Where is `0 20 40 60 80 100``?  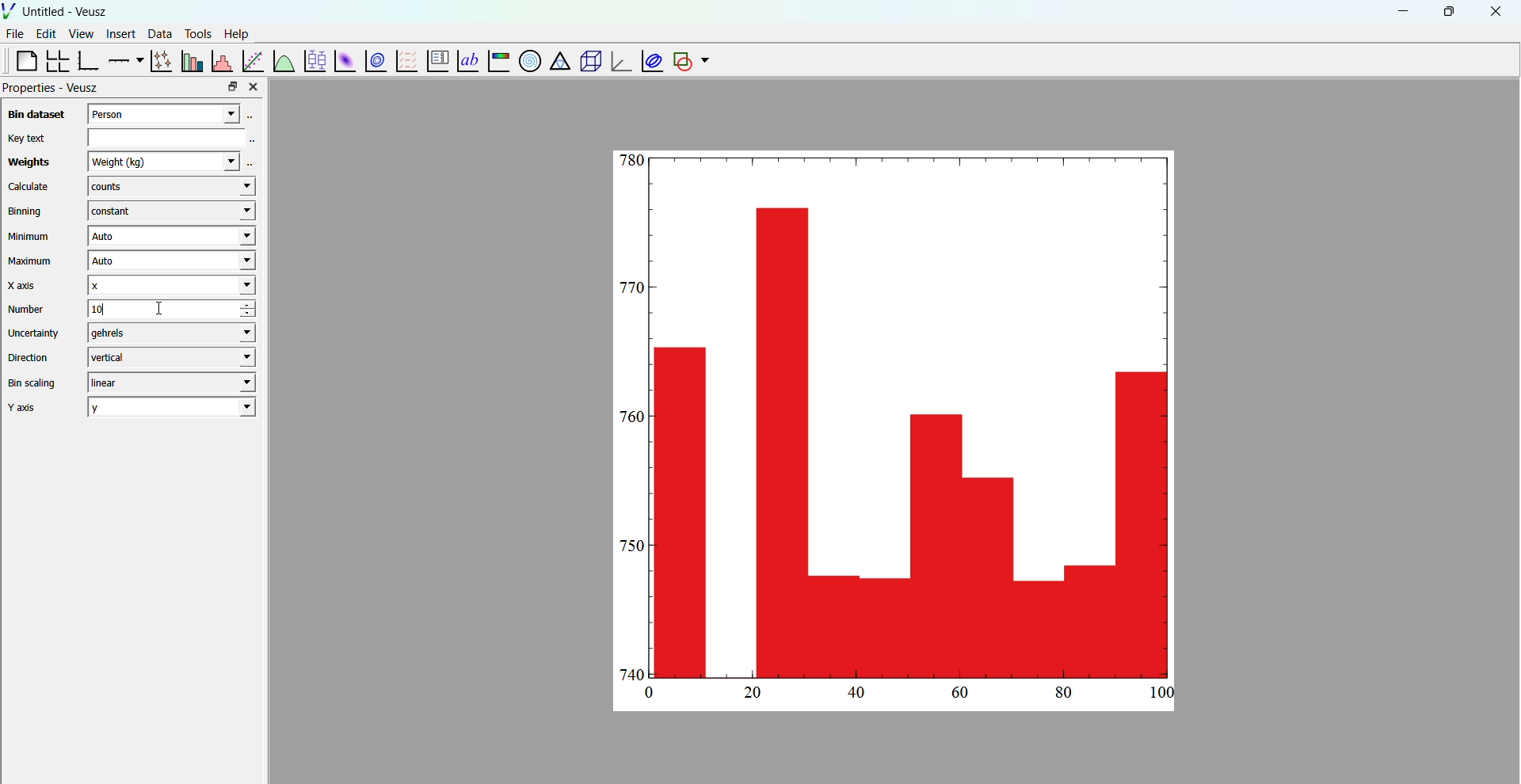 0 20 40 60 80 100` is located at coordinates (902, 696).